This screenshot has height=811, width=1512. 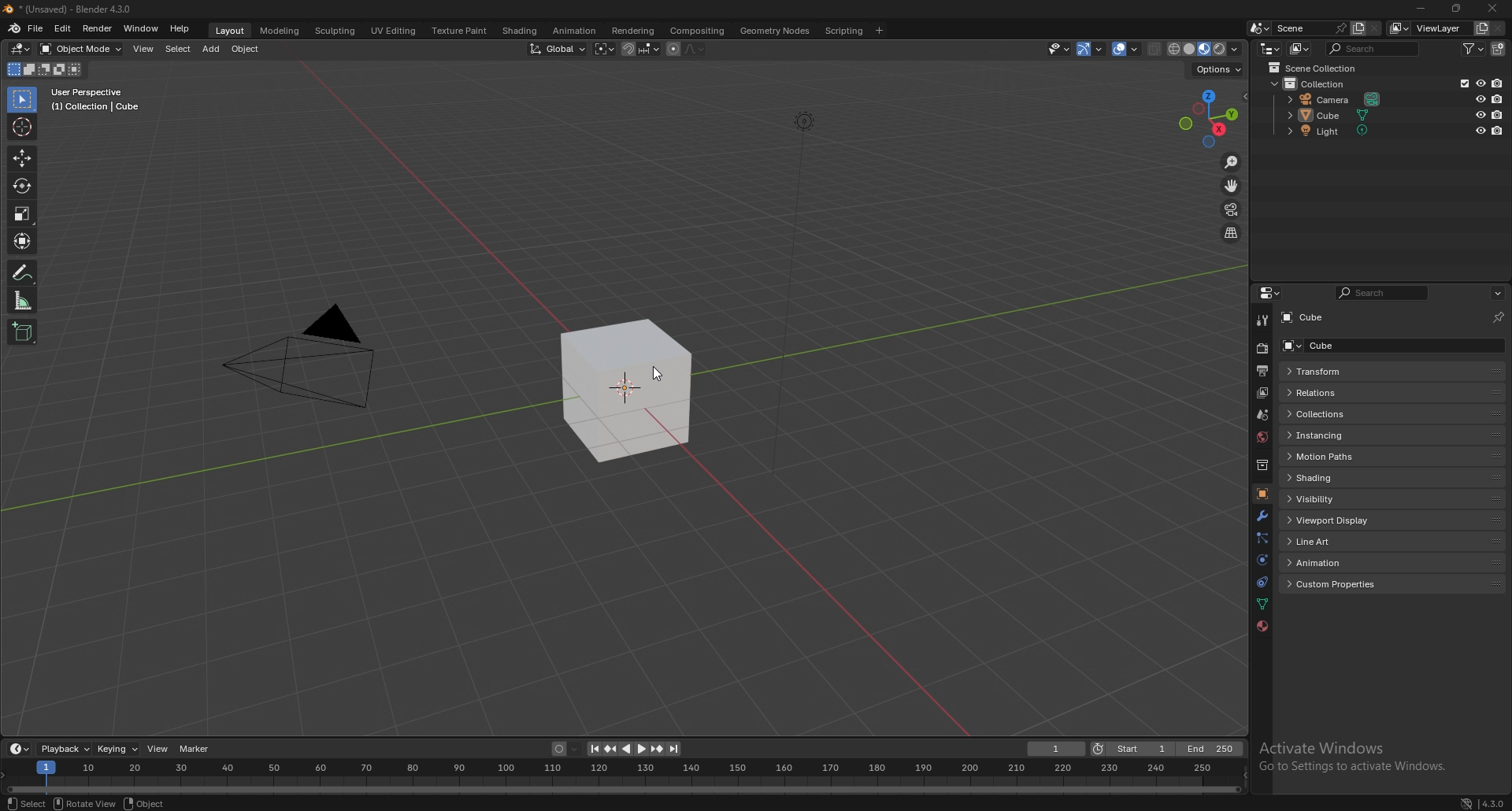 What do you see at coordinates (23, 100) in the screenshot?
I see `selector` at bounding box center [23, 100].